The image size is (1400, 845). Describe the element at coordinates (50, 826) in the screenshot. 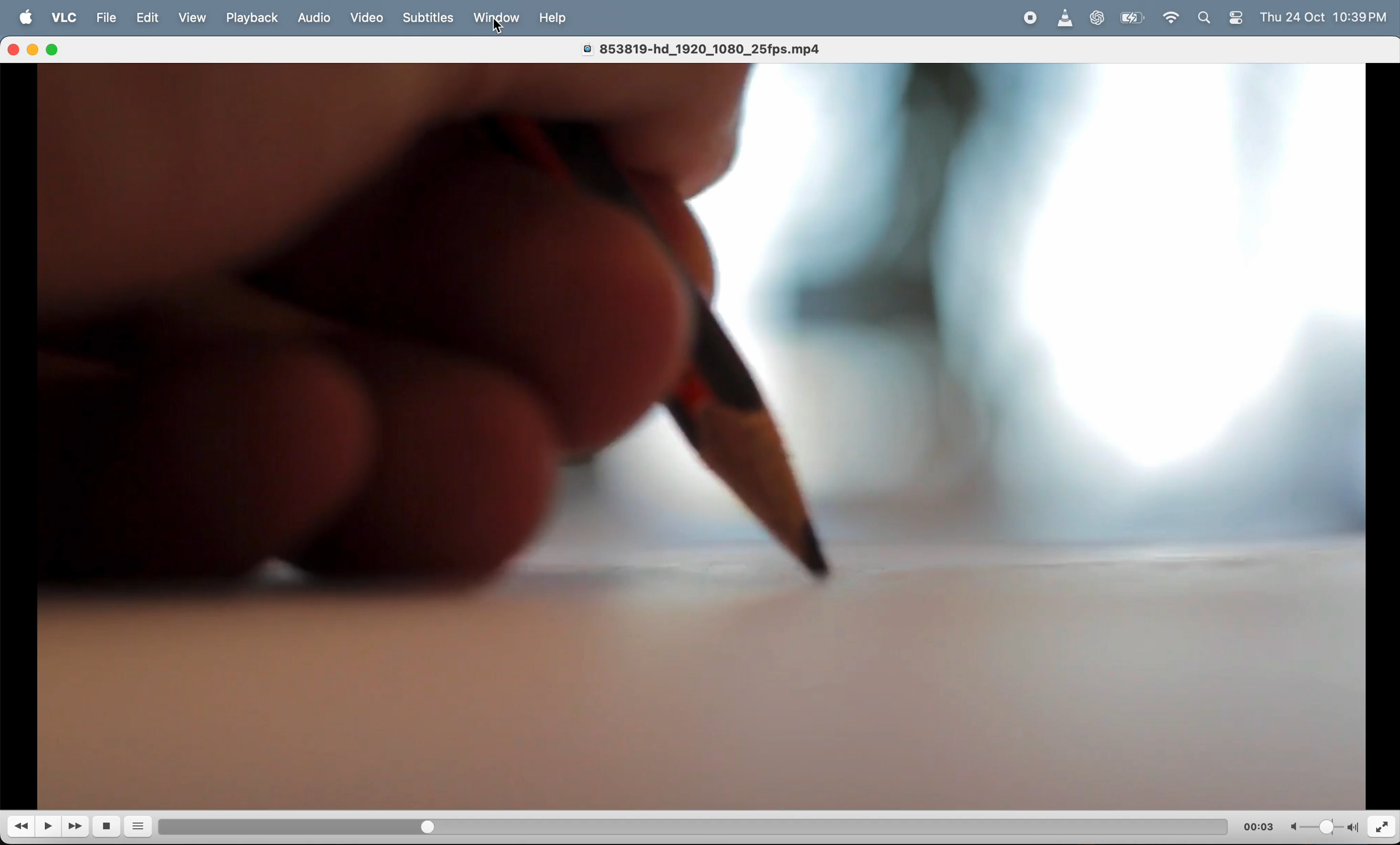

I see `play` at that location.